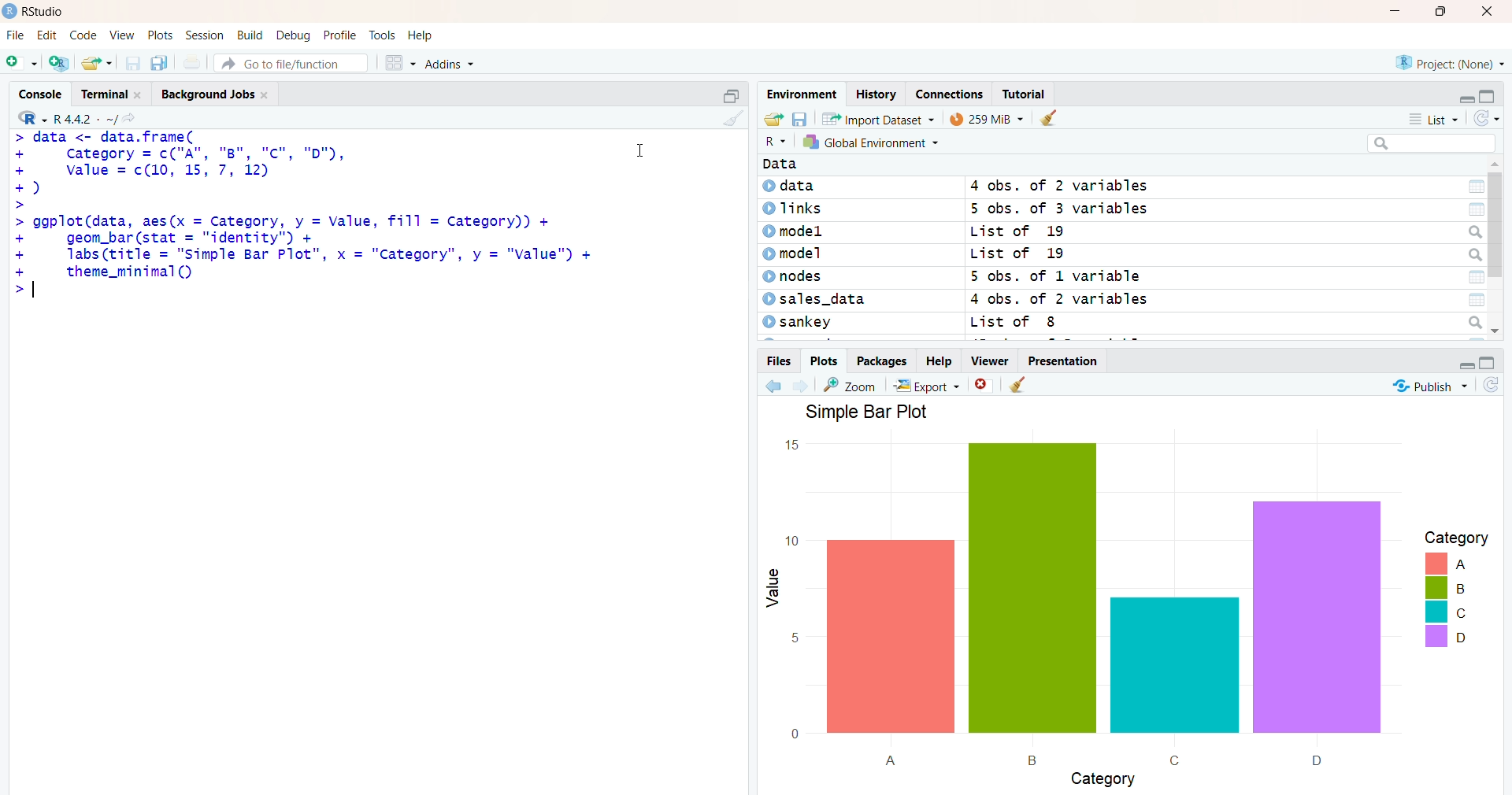 Image resolution: width=1512 pixels, height=795 pixels. Describe the element at coordinates (109, 92) in the screenshot. I see `Terminal` at that location.